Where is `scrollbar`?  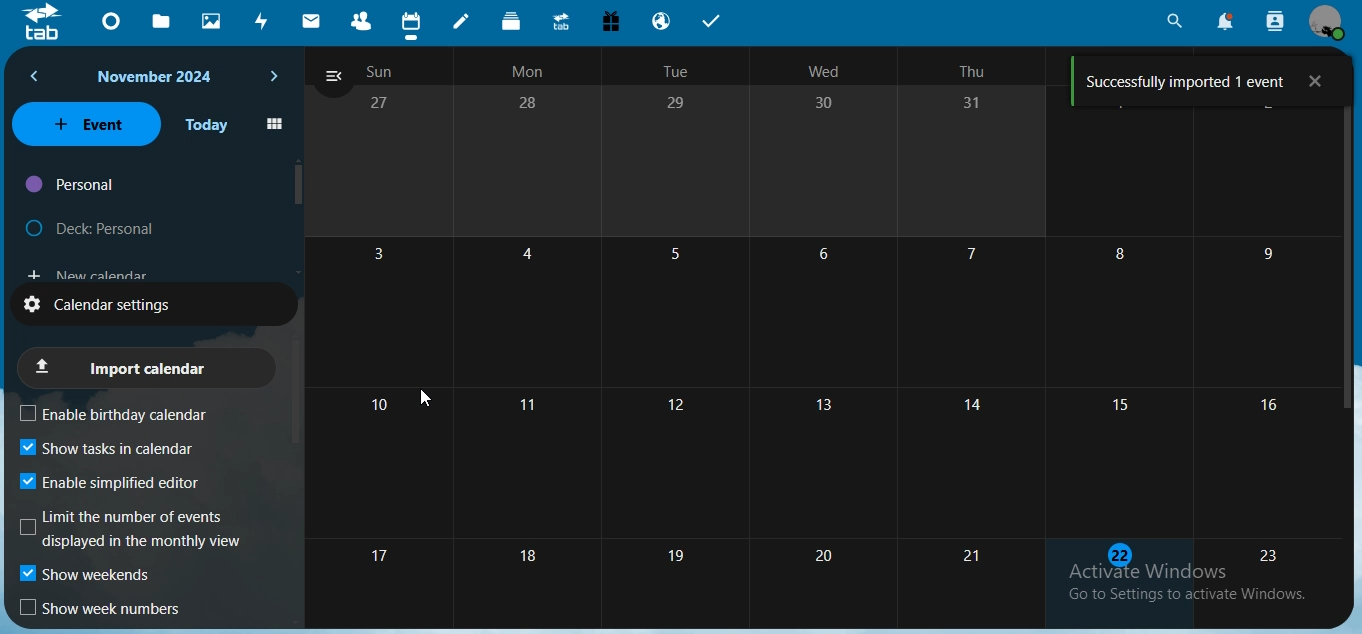 scrollbar is located at coordinates (1348, 250).